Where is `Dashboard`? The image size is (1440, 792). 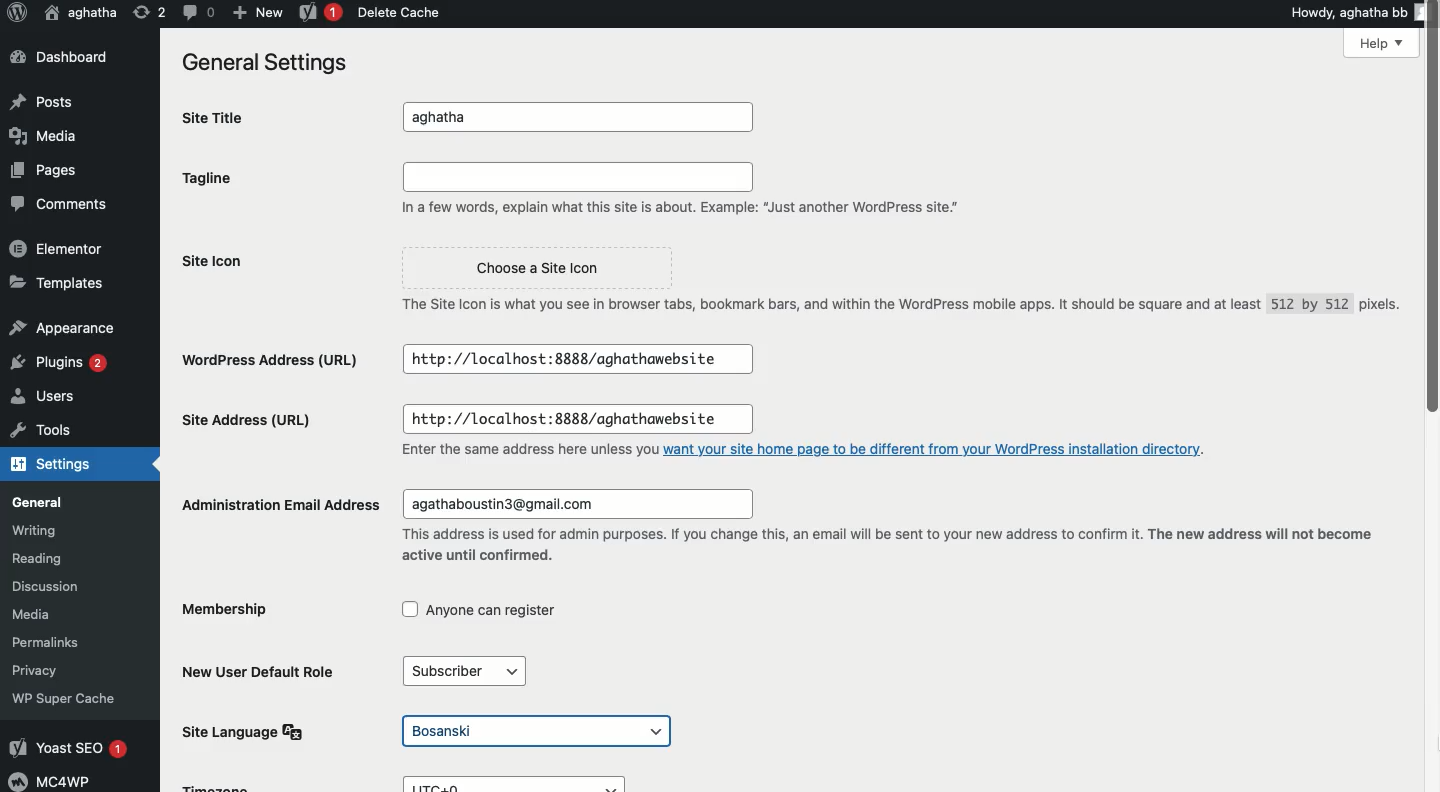 Dashboard is located at coordinates (57, 56).